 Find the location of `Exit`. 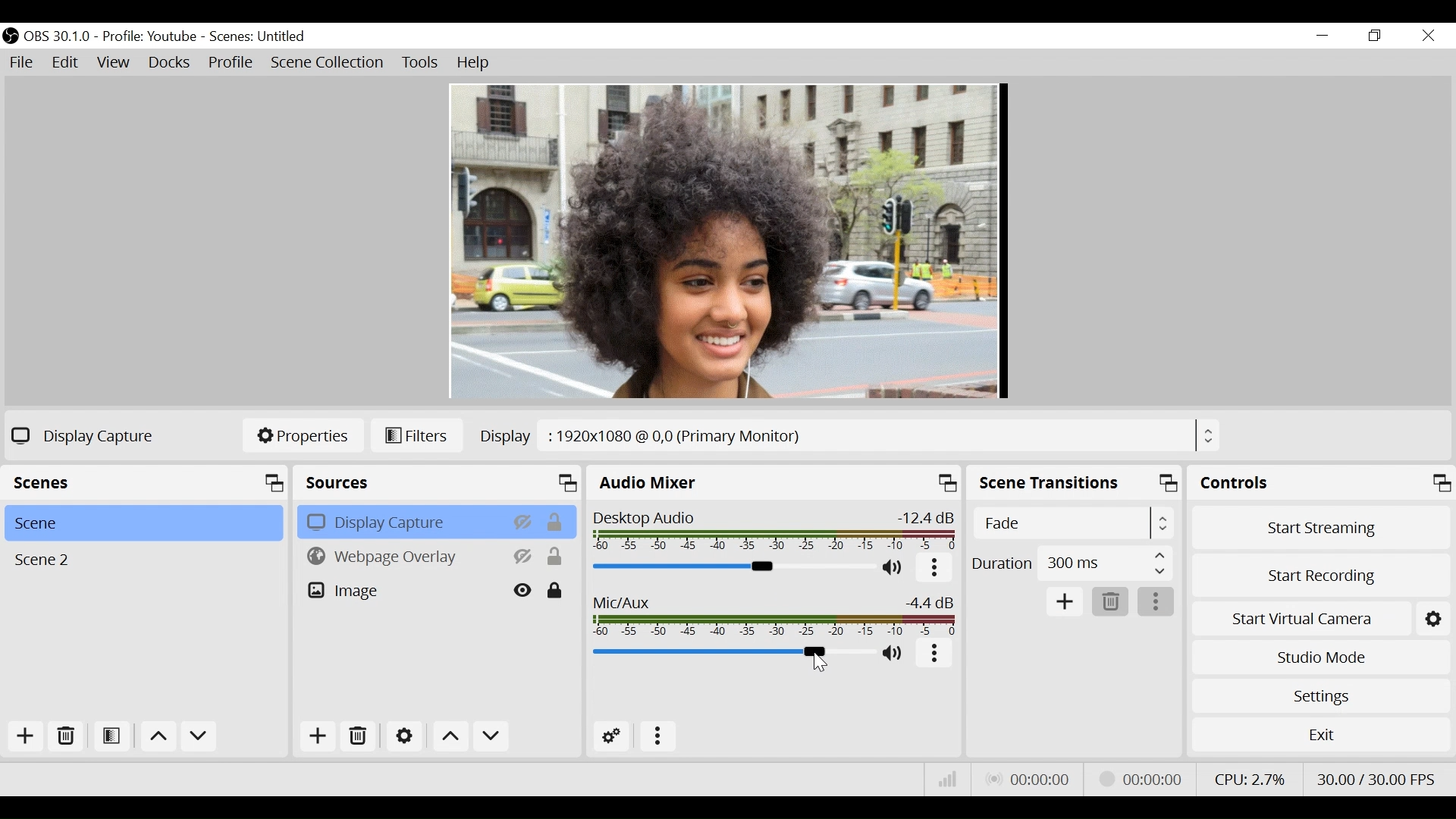

Exit is located at coordinates (1321, 734).